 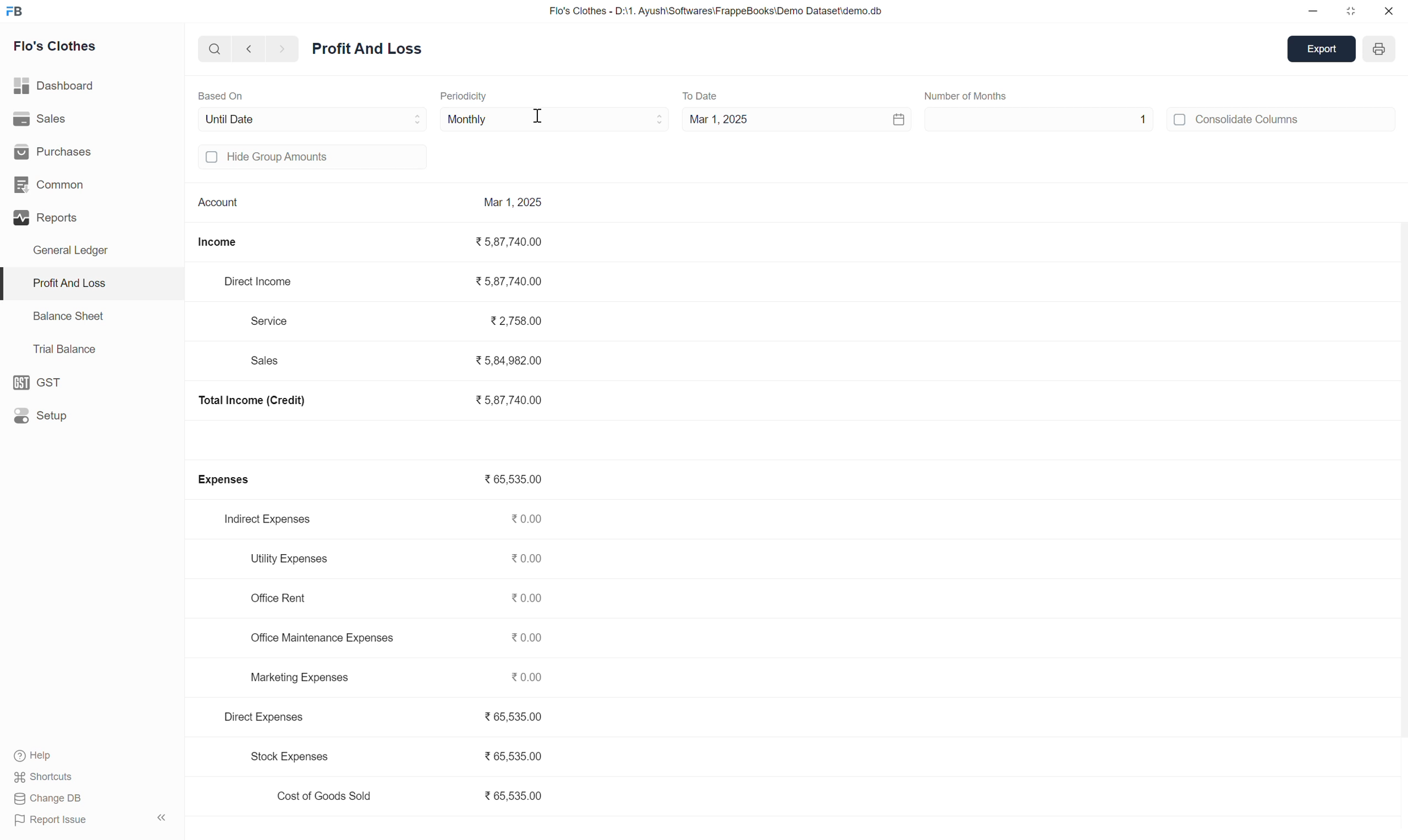 I want to click on Number of Months, so click(x=974, y=93).